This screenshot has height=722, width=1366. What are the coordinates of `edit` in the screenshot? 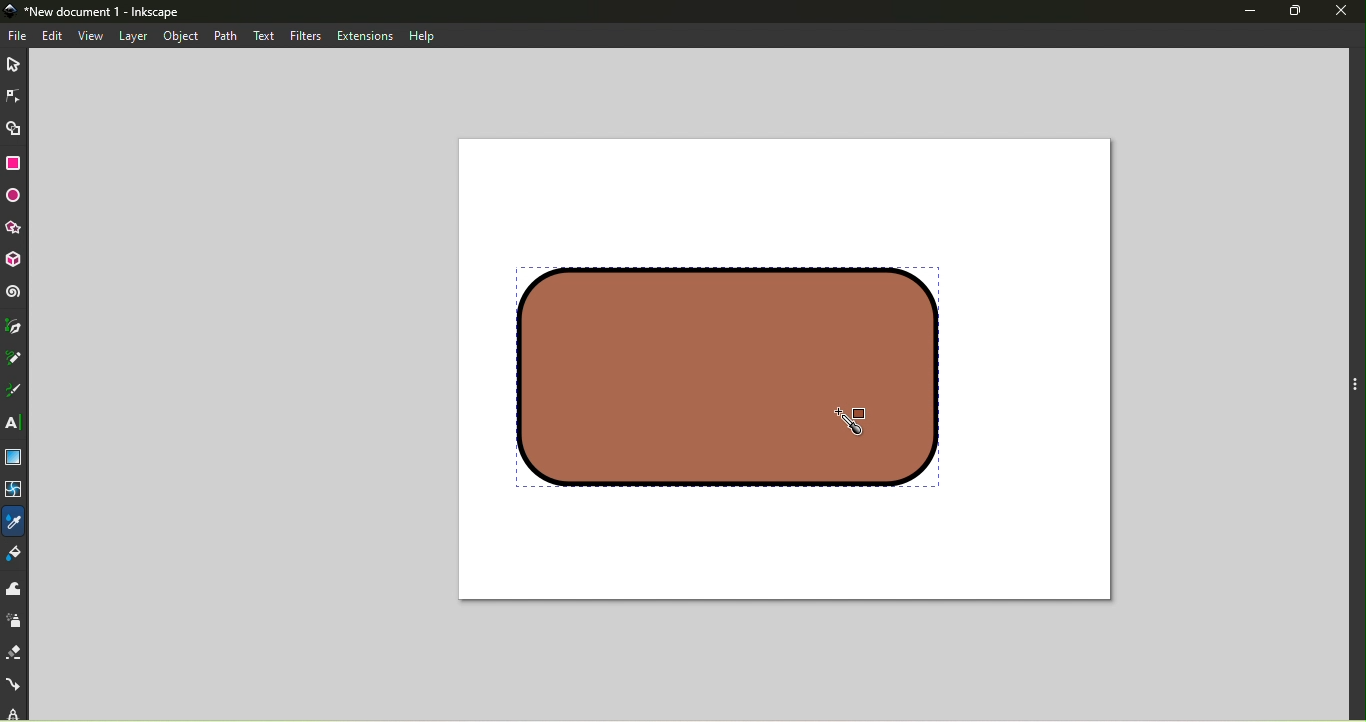 It's located at (54, 35).